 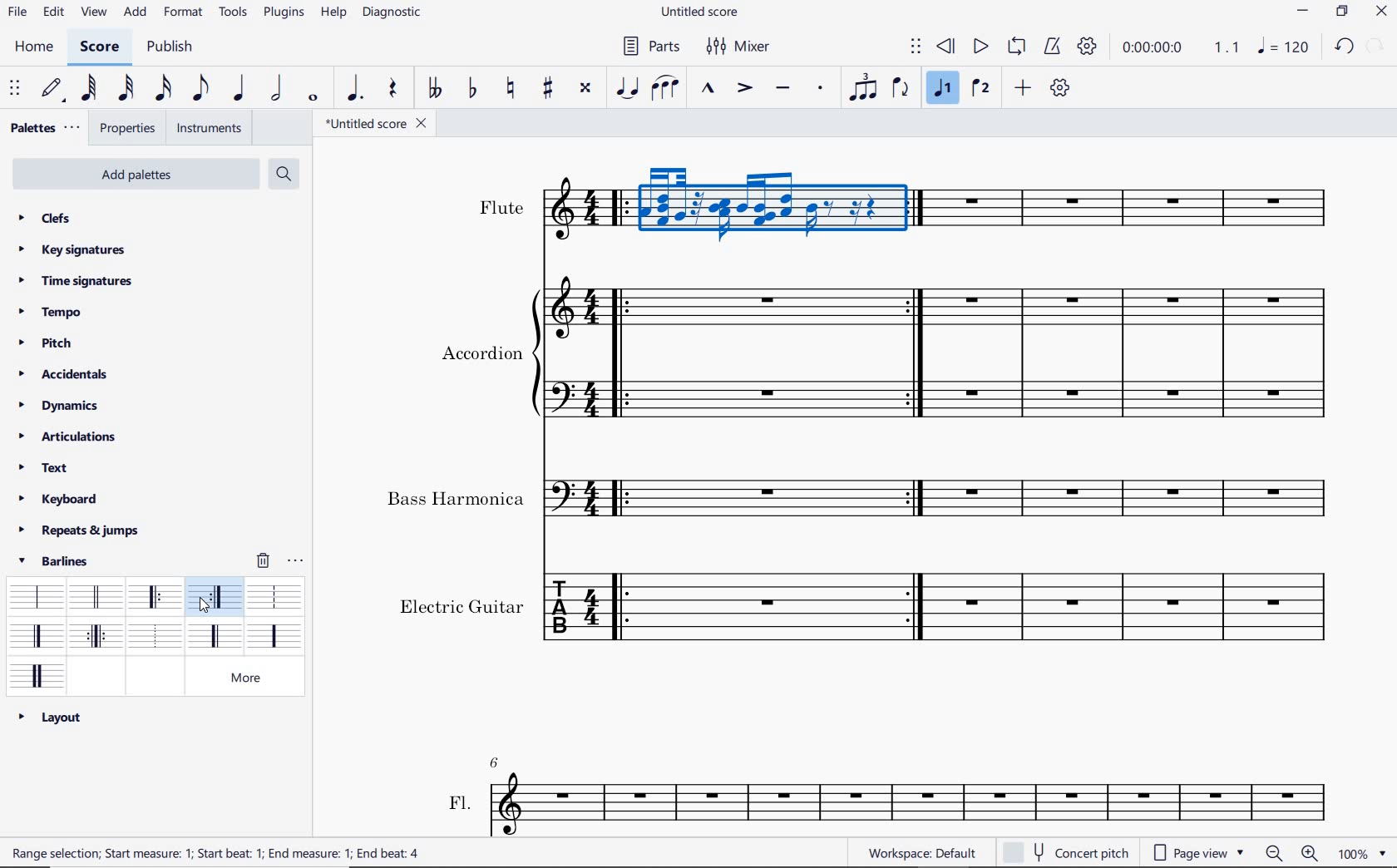 What do you see at coordinates (52, 14) in the screenshot?
I see `edit` at bounding box center [52, 14].